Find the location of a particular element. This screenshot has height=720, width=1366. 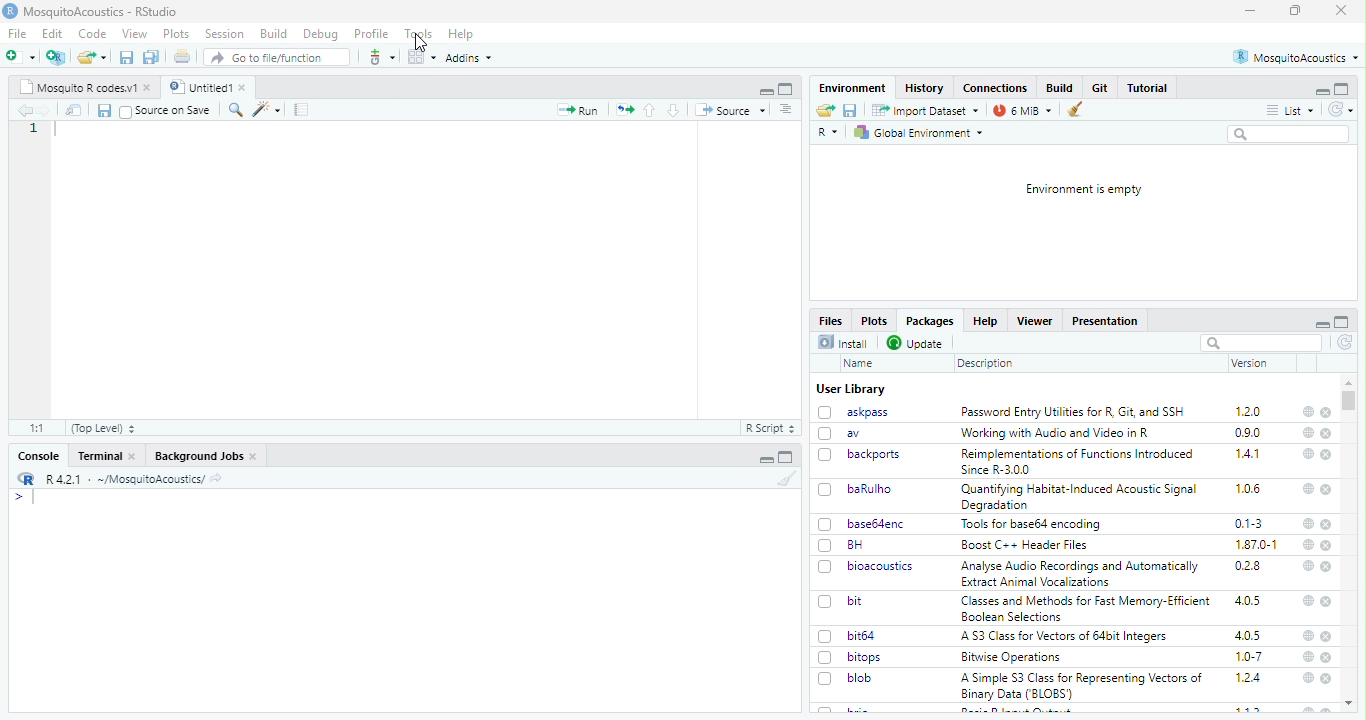

Build is located at coordinates (274, 34).